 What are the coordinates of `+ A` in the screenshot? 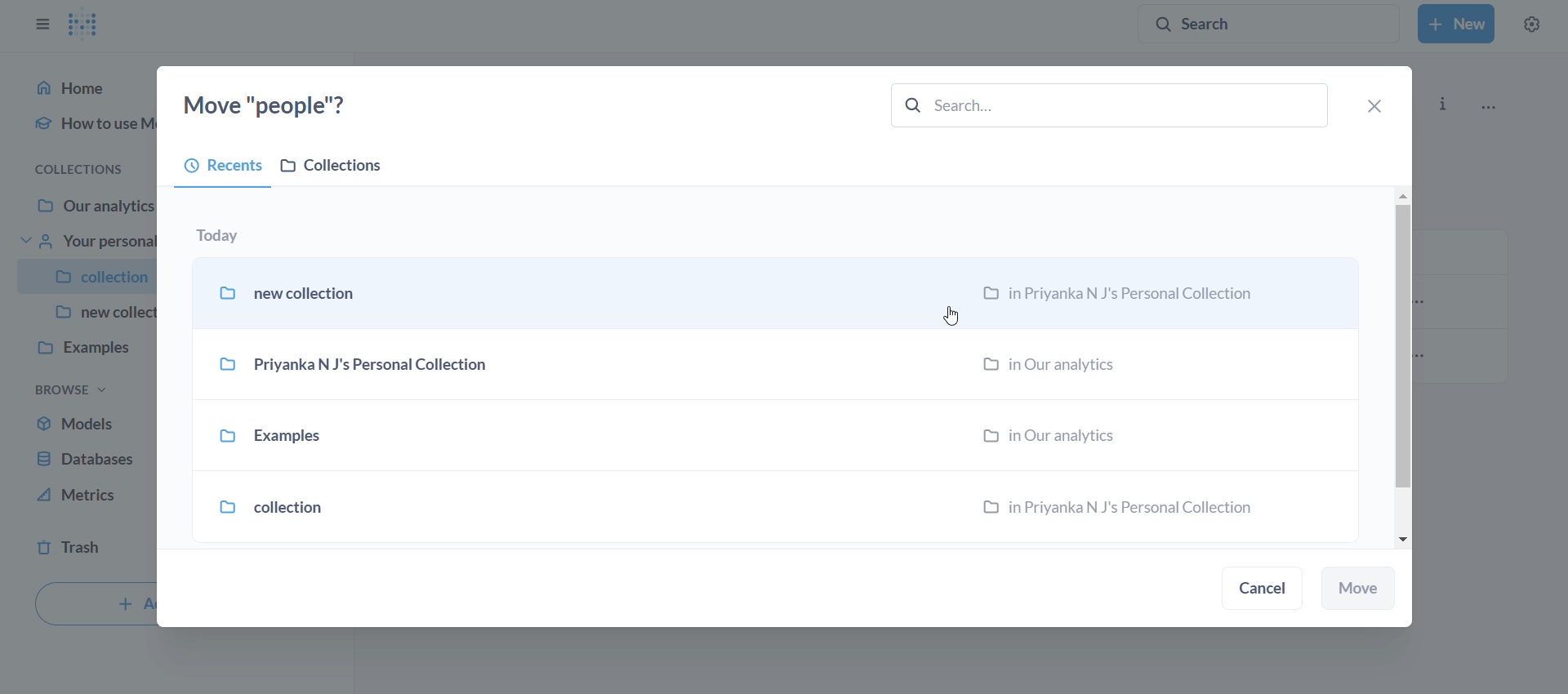 It's located at (102, 603).